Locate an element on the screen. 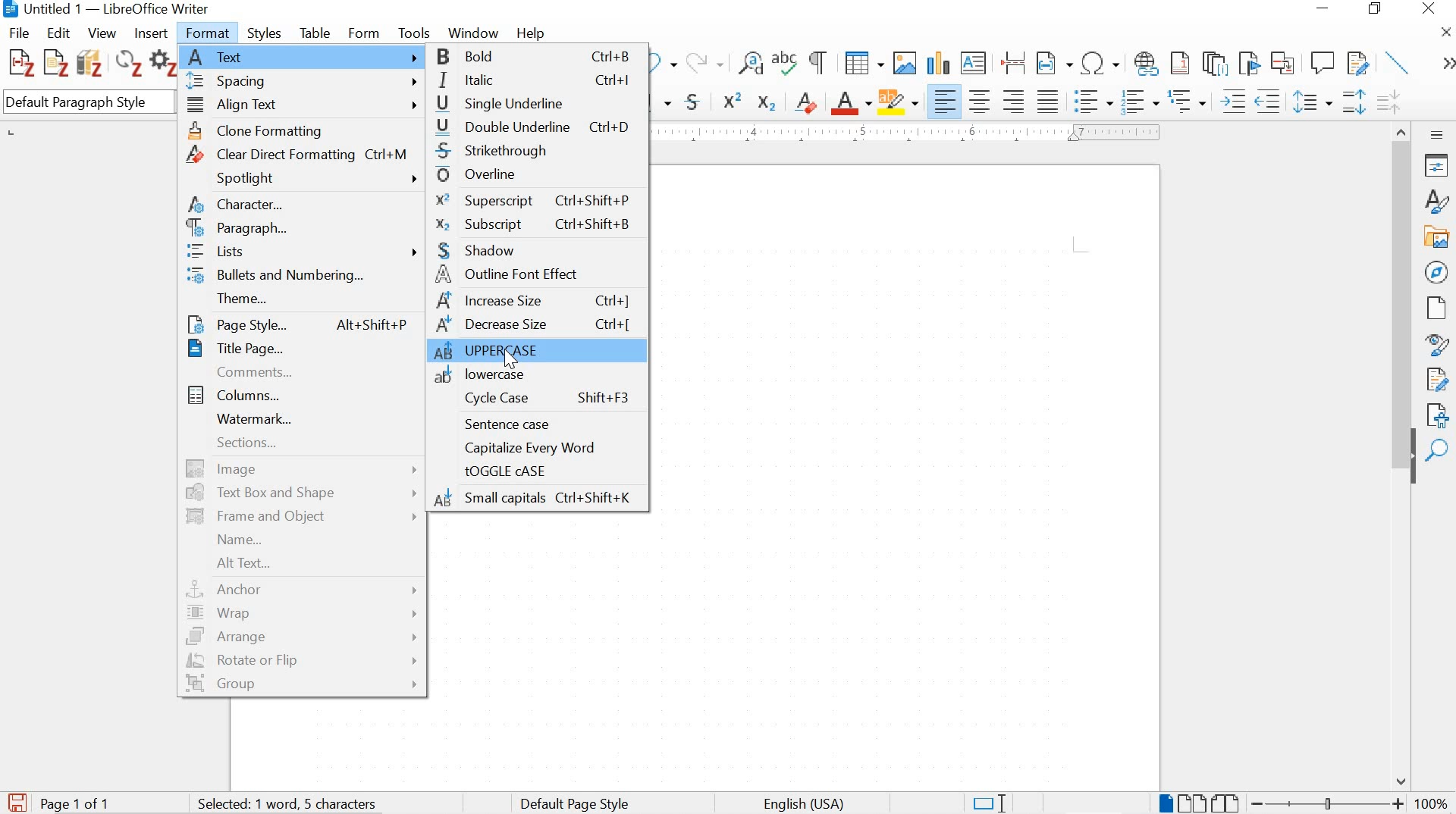 The height and width of the screenshot is (814, 1456). default page style is located at coordinates (578, 803).